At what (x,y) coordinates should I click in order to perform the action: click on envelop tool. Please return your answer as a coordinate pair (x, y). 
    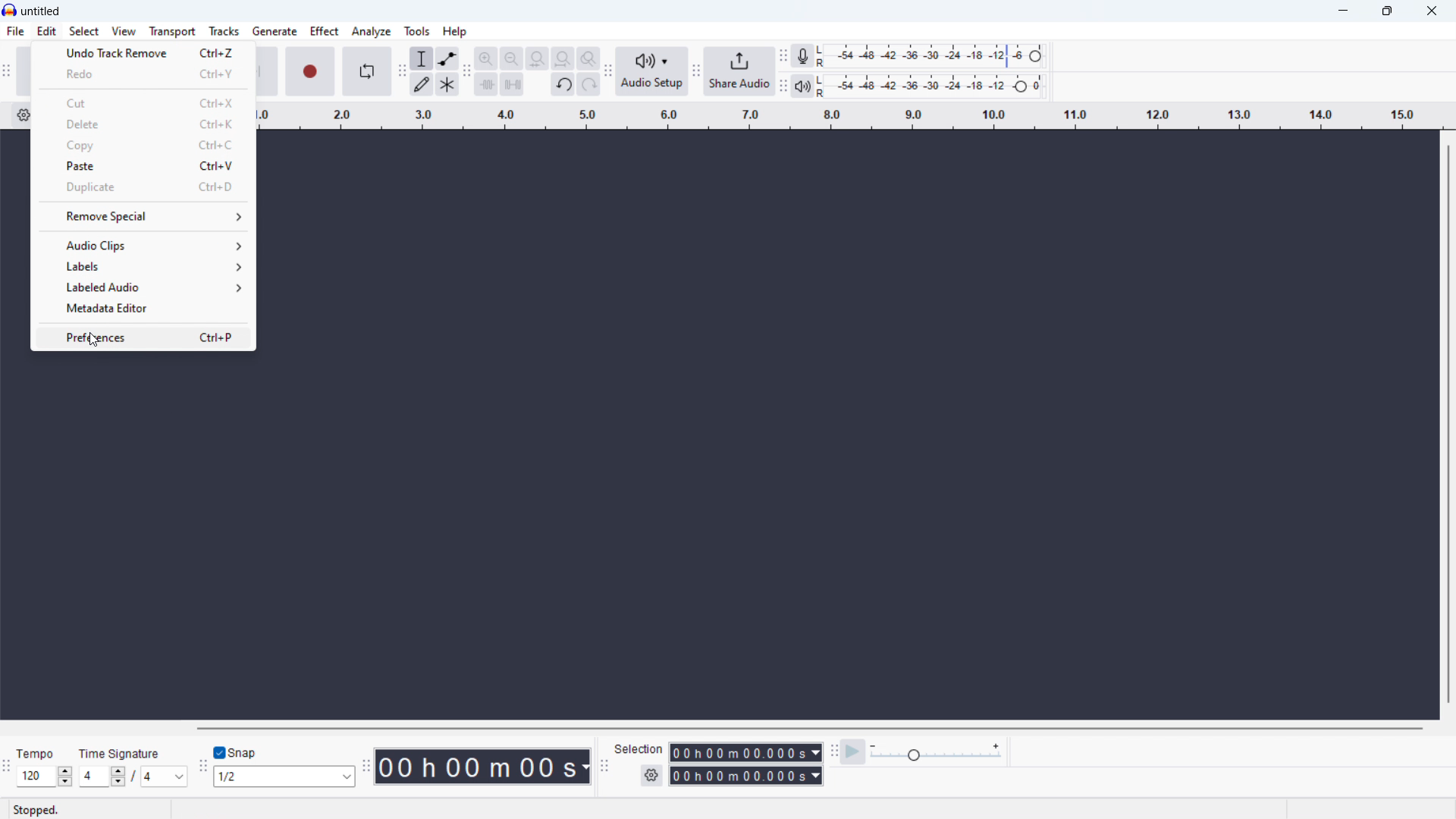
    Looking at the image, I should click on (447, 58).